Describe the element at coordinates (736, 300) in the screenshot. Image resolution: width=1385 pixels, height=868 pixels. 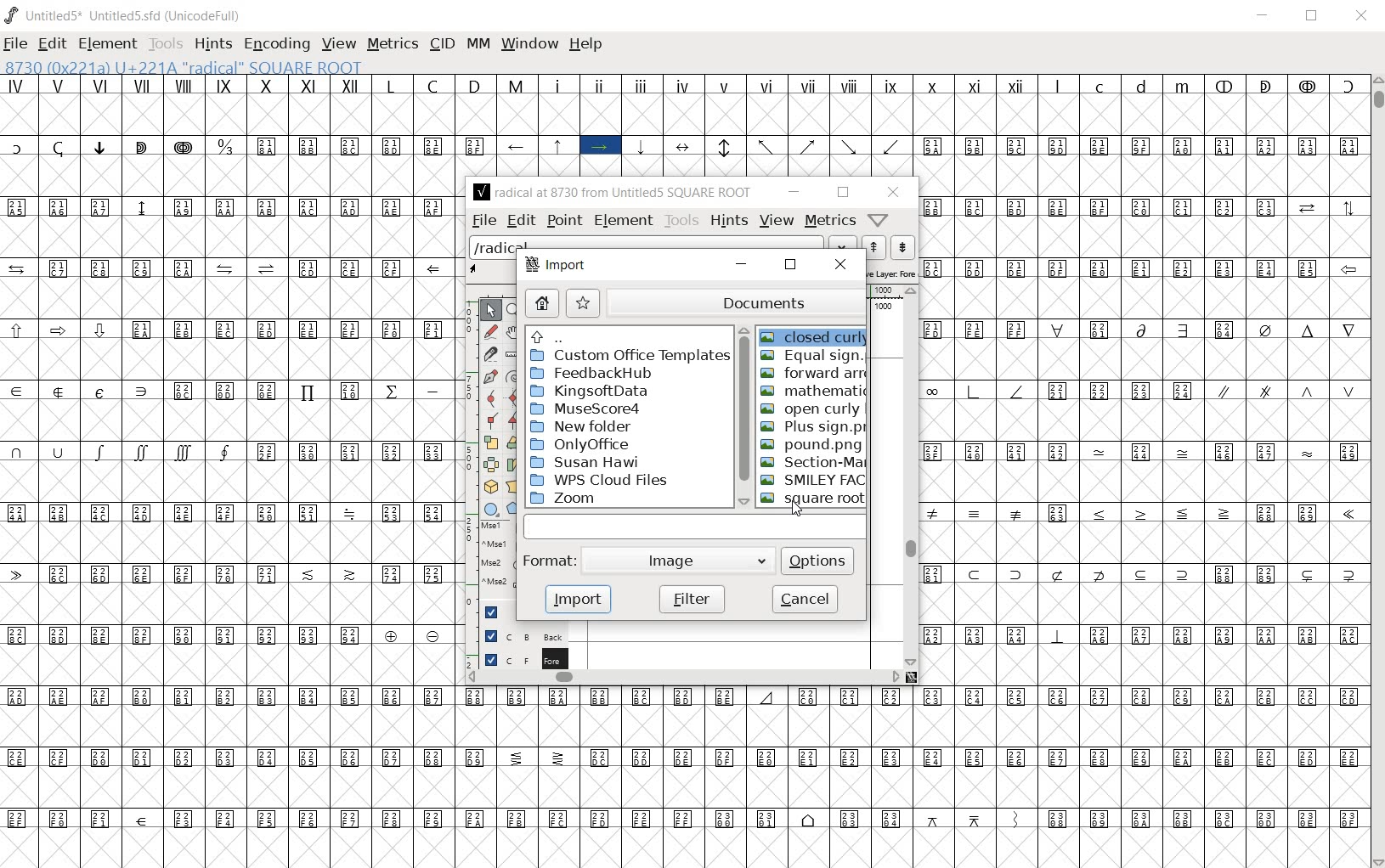
I see `documents` at that location.